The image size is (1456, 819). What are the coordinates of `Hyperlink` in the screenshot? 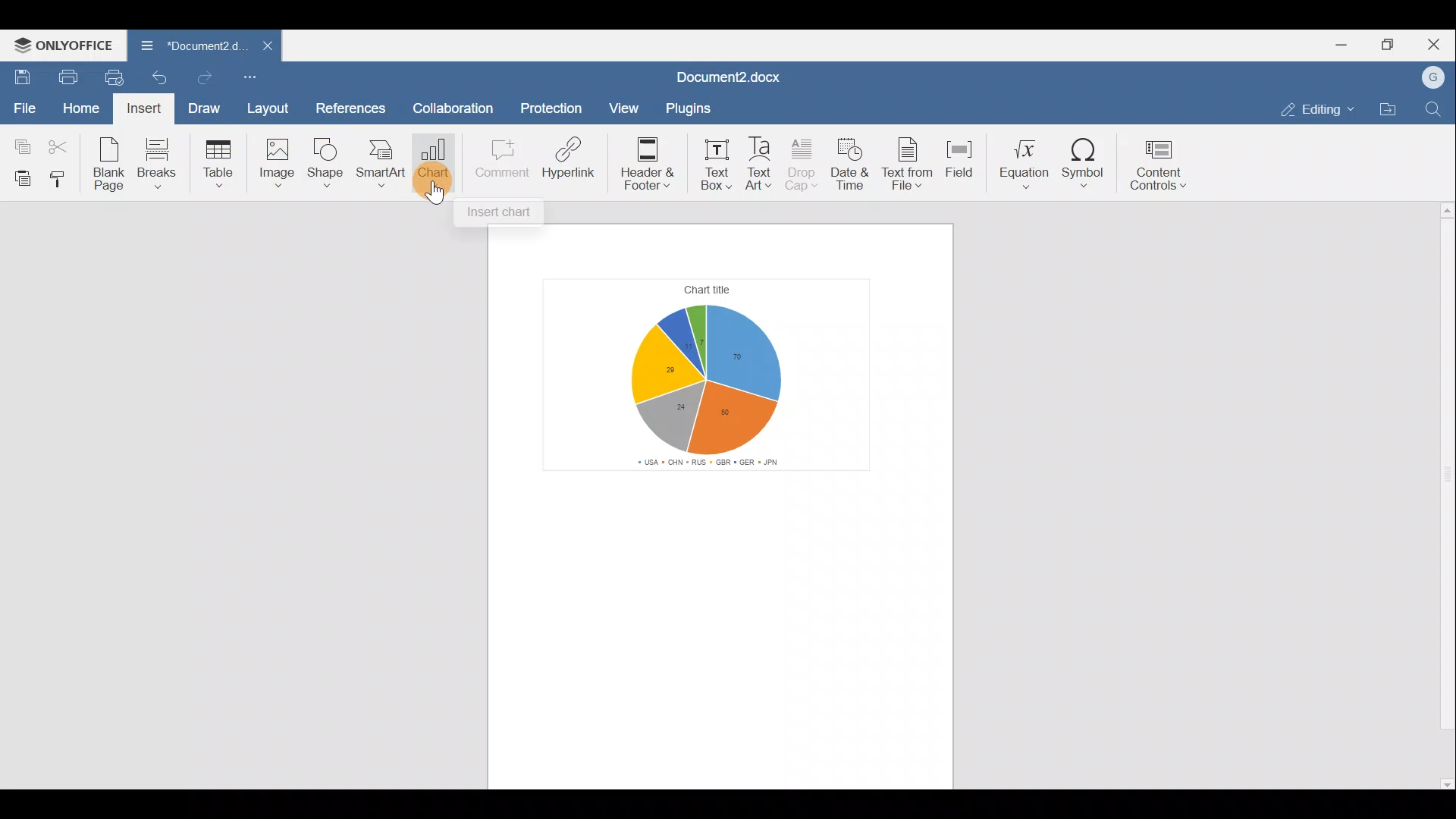 It's located at (569, 160).